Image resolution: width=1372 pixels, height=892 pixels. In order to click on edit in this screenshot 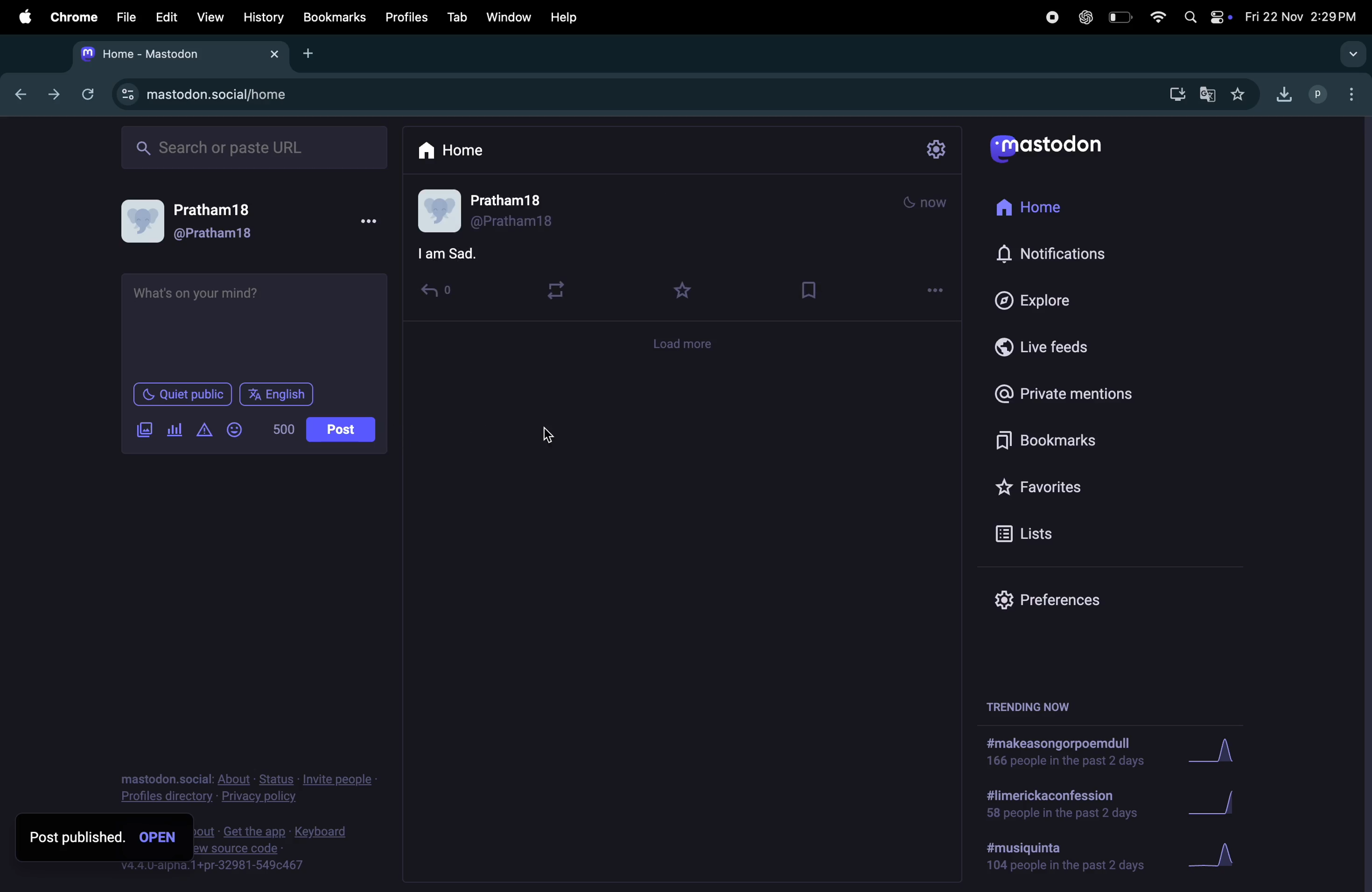, I will do `click(166, 17)`.